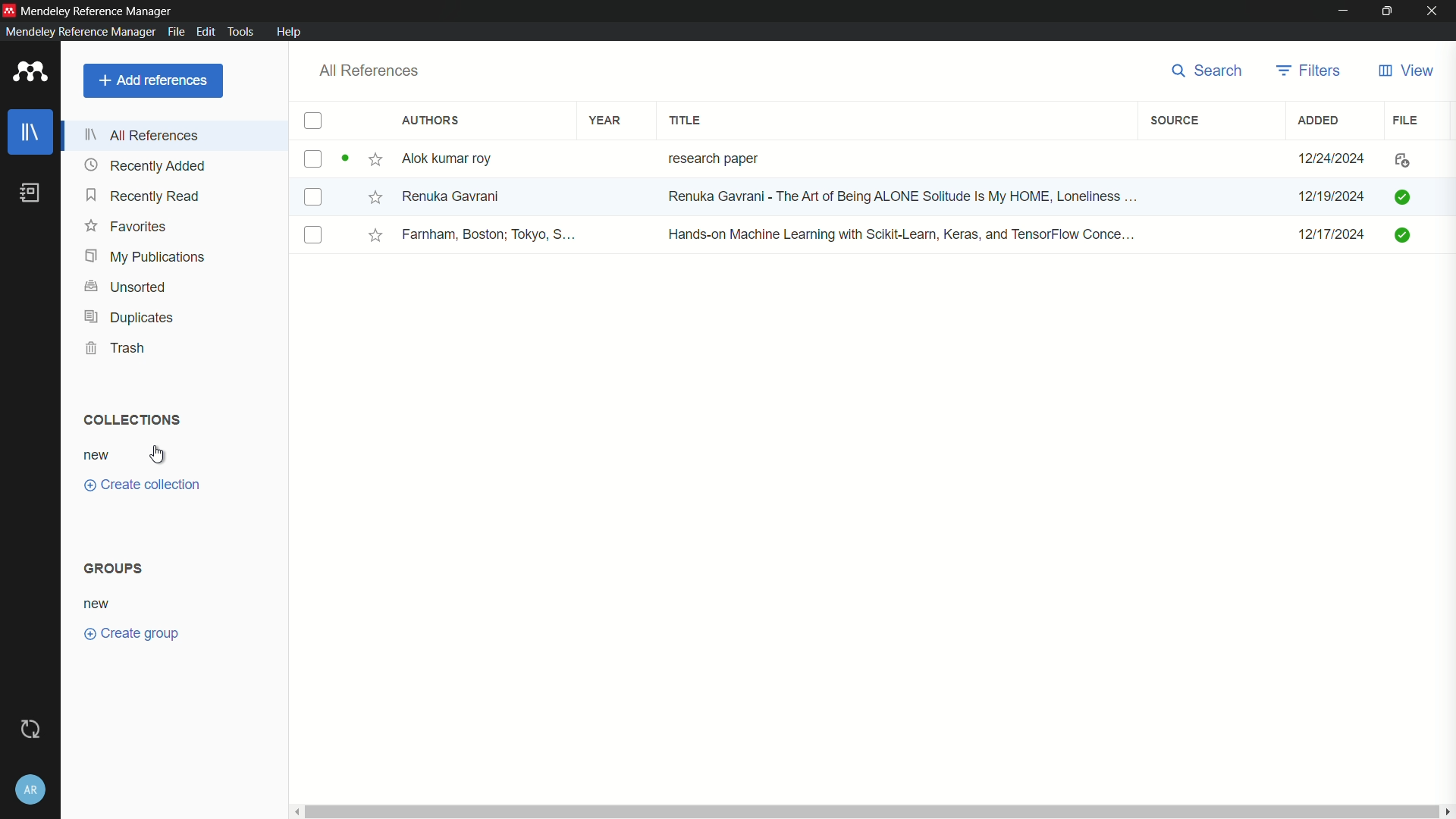 The width and height of the screenshot is (1456, 819). What do you see at coordinates (145, 165) in the screenshot?
I see `recently added` at bounding box center [145, 165].